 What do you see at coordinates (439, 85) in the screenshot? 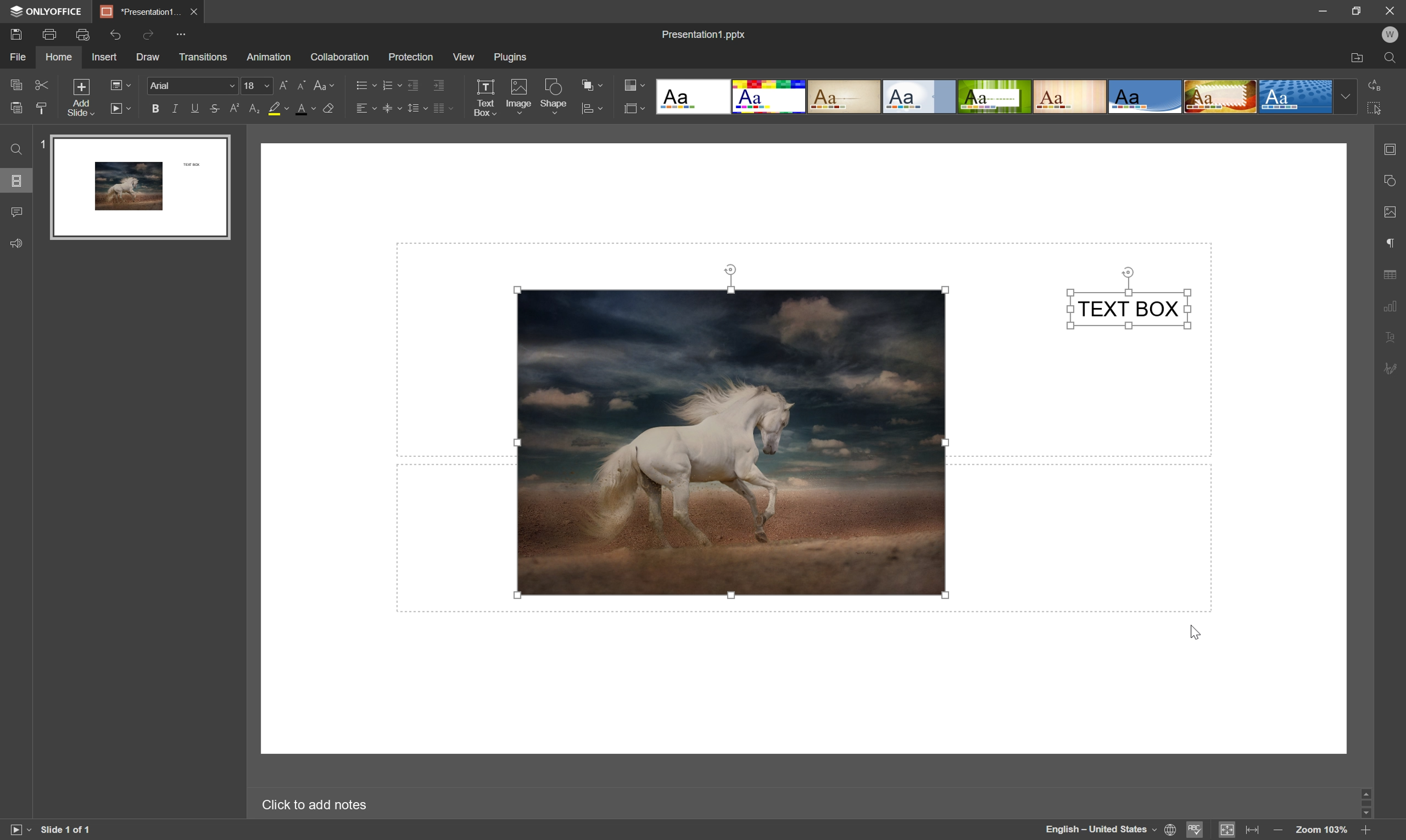
I see `increase indent` at bounding box center [439, 85].